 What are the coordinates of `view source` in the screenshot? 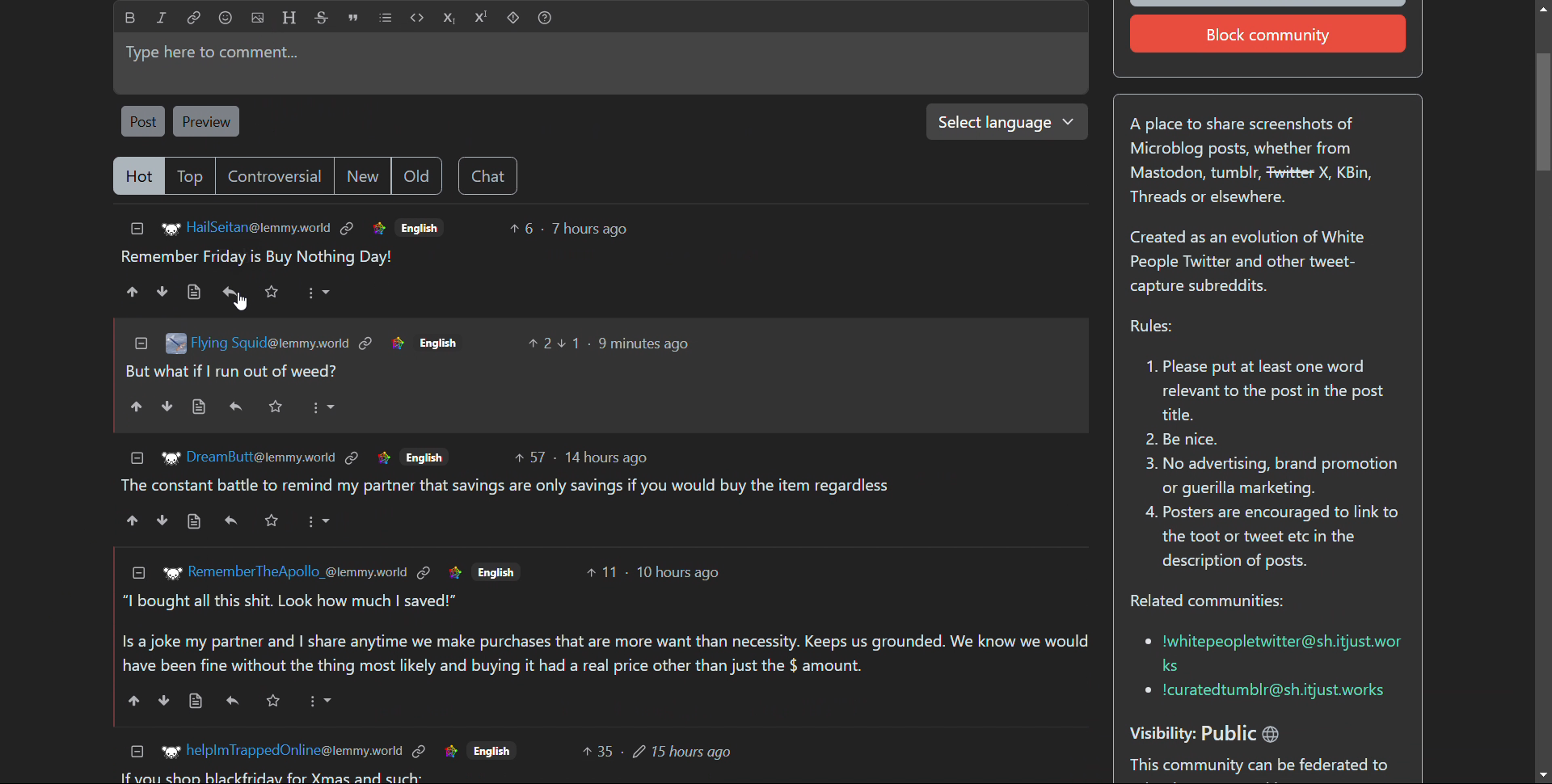 It's located at (193, 292).